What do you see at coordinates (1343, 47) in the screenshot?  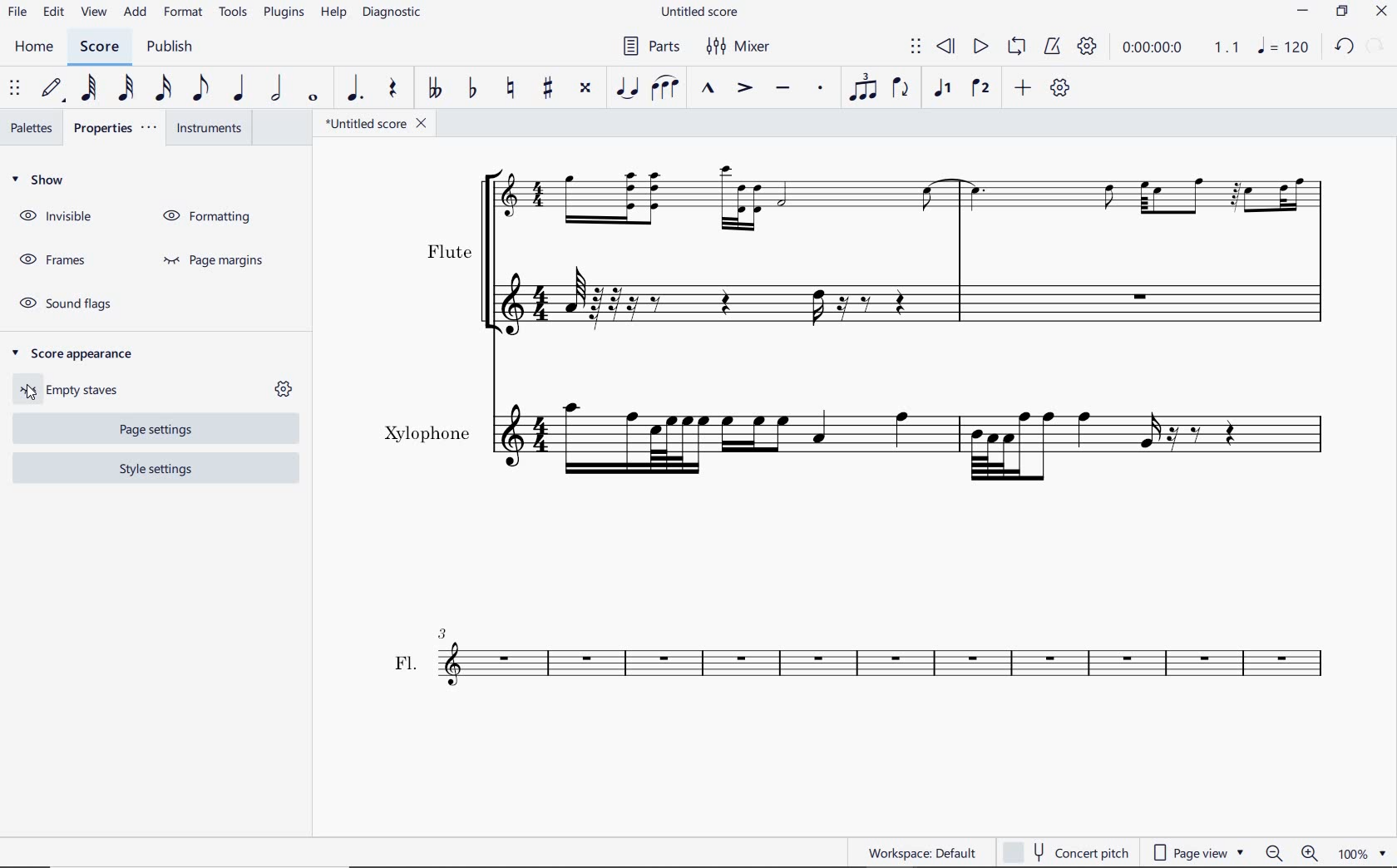 I see `UNDO` at bounding box center [1343, 47].